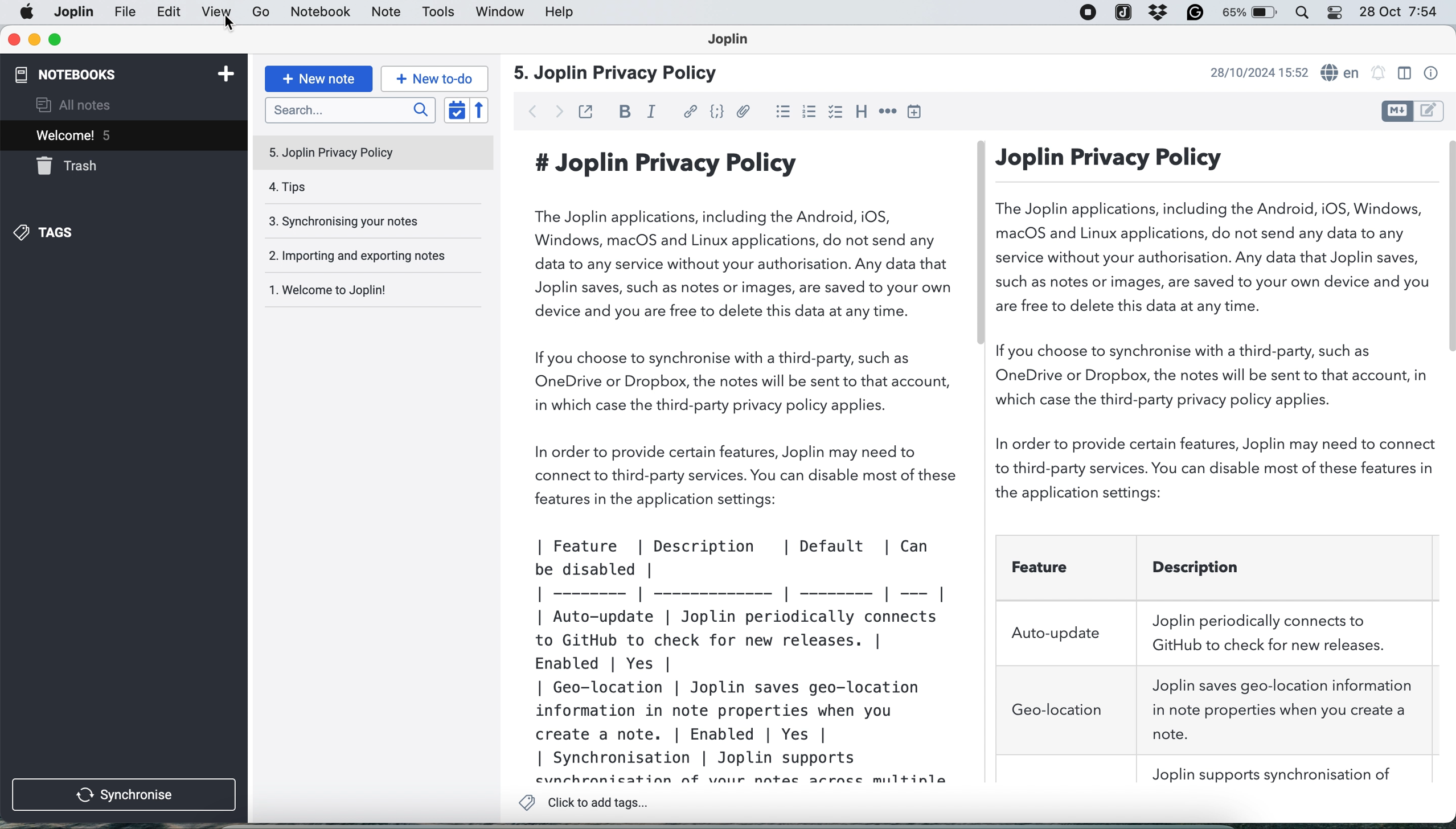  Describe the element at coordinates (836, 114) in the screenshot. I see `checkbox` at that location.